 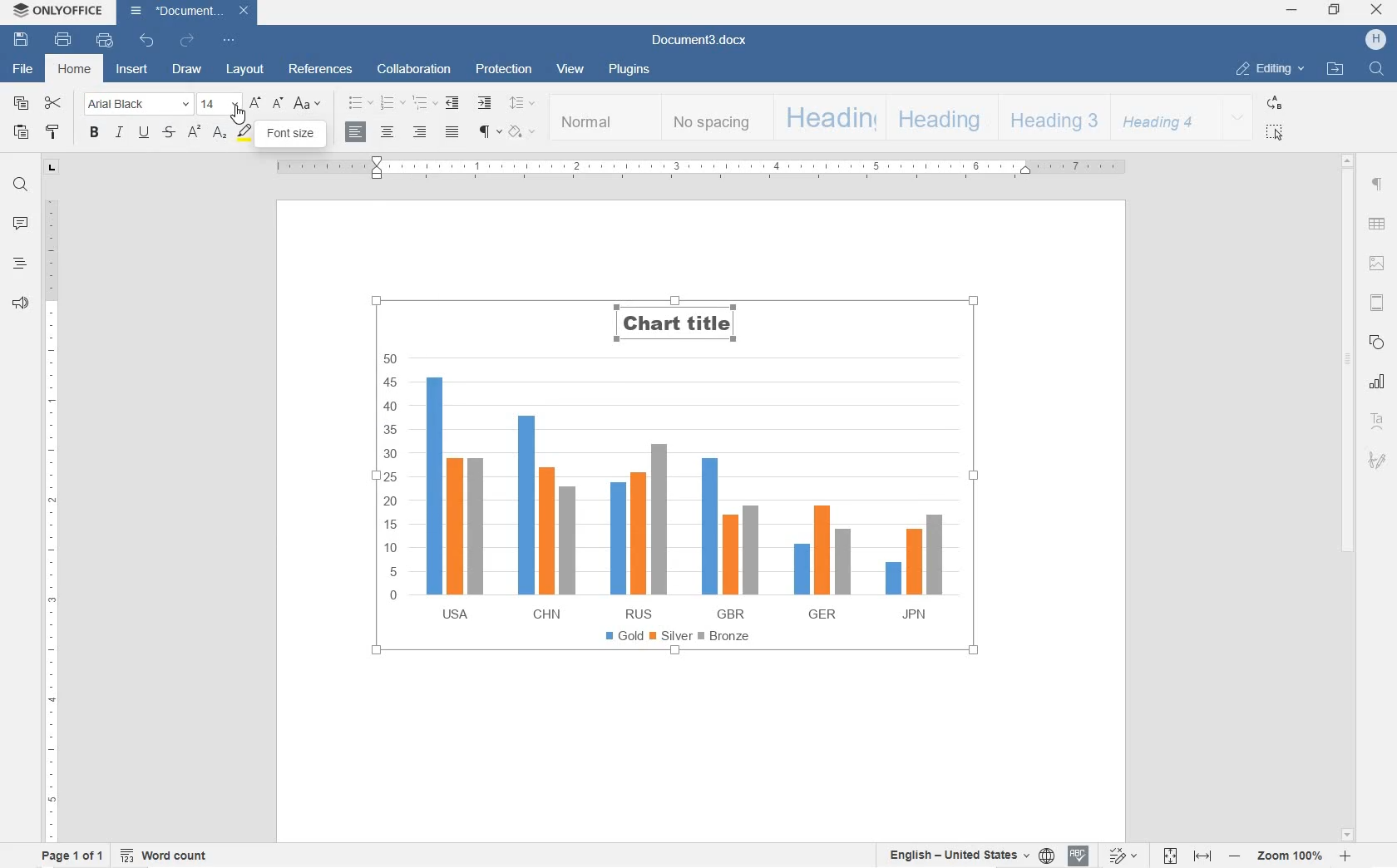 I want to click on PAGE 1 OF 1, so click(x=74, y=856).